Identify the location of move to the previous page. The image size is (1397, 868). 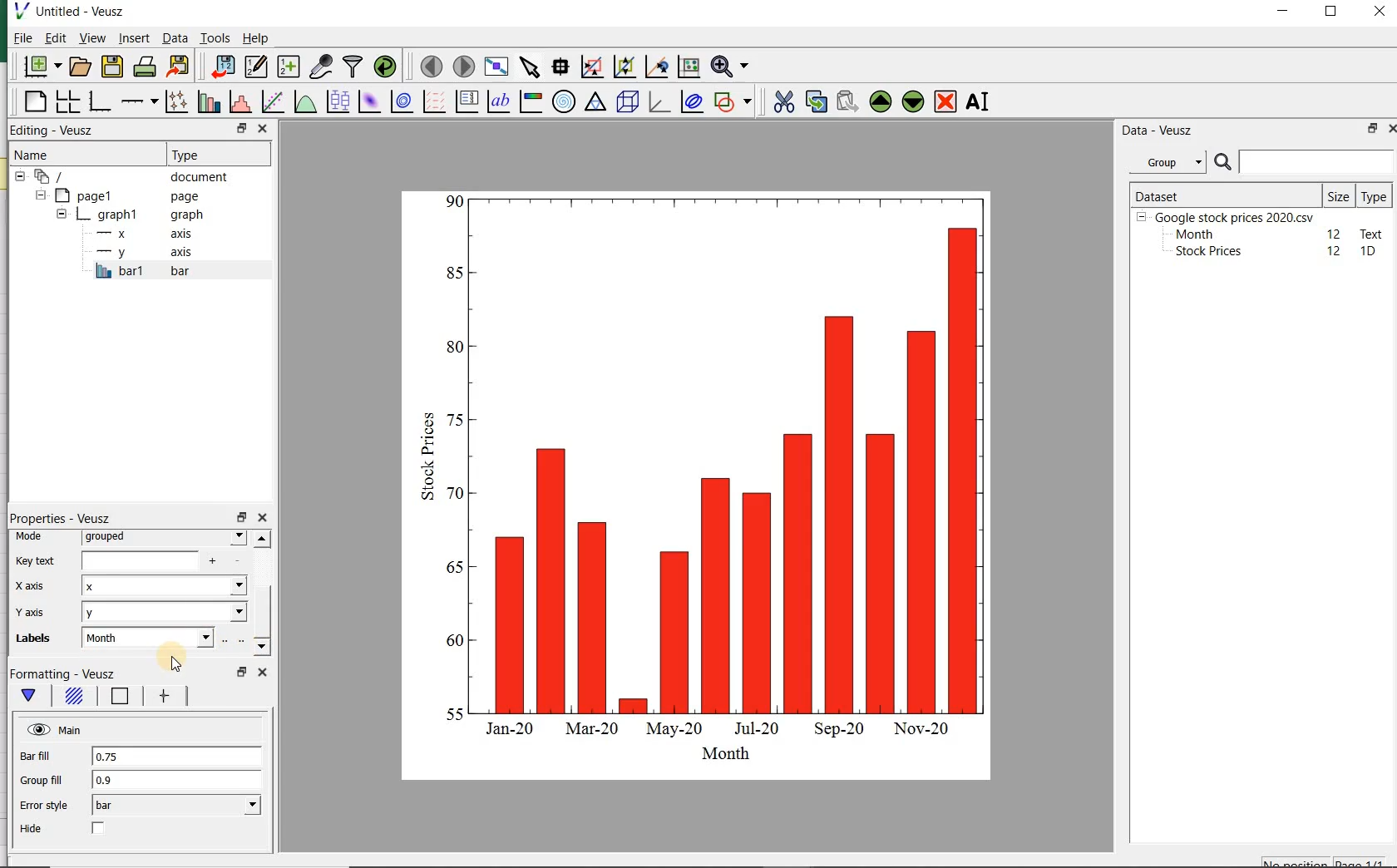
(429, 65).